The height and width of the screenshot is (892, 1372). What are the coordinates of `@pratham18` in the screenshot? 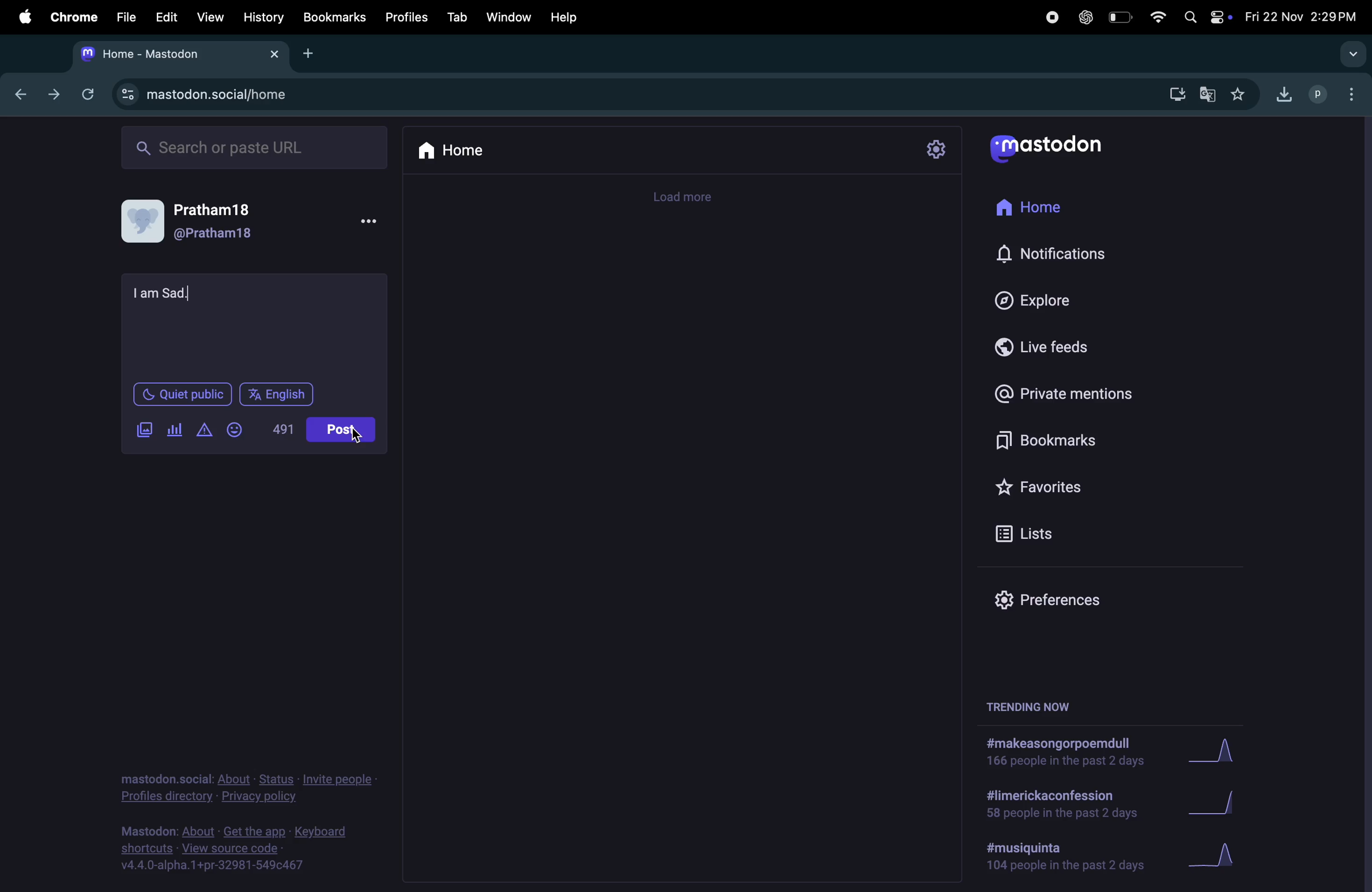 It's located at (214, 234).